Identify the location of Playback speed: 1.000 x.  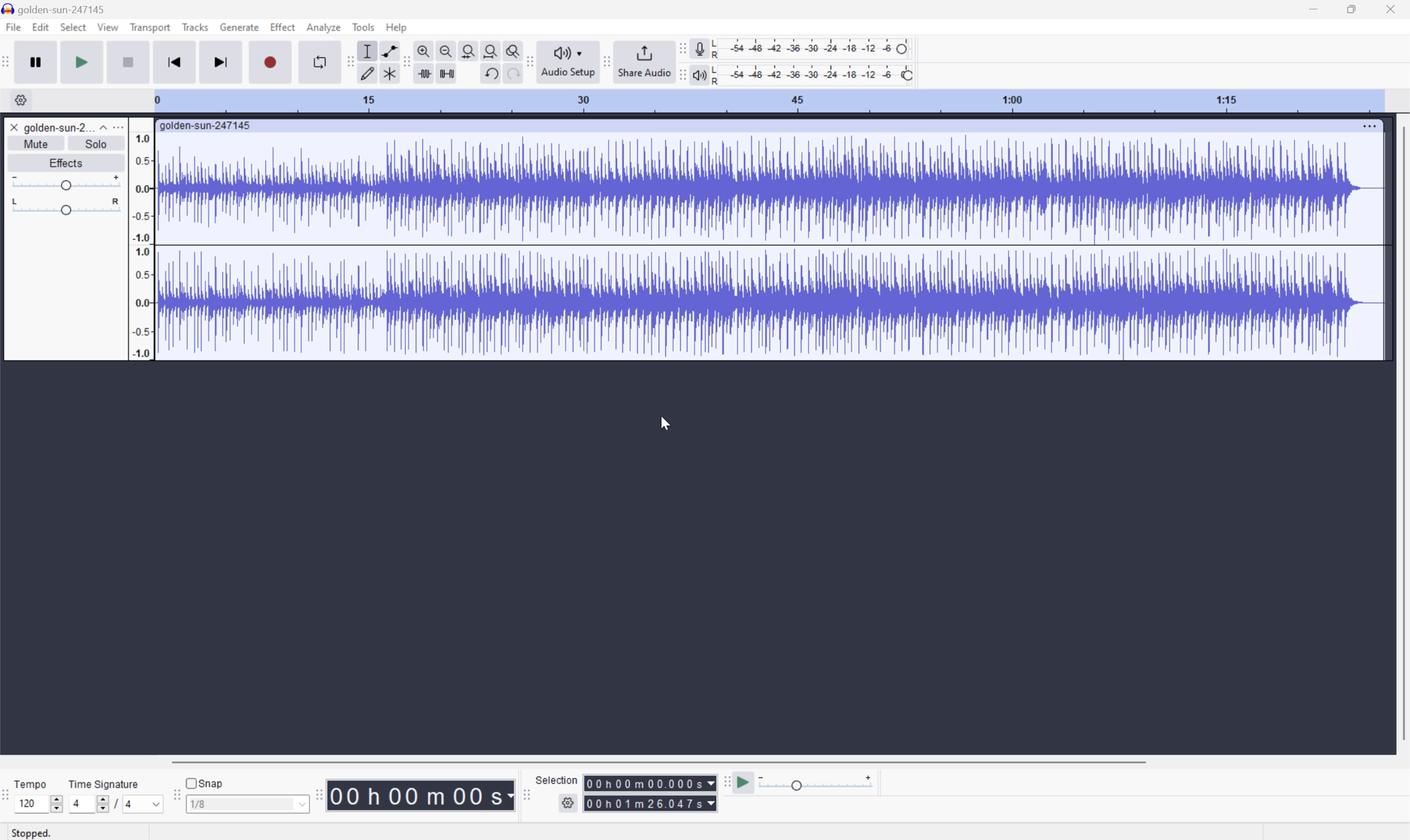
(818, 781).